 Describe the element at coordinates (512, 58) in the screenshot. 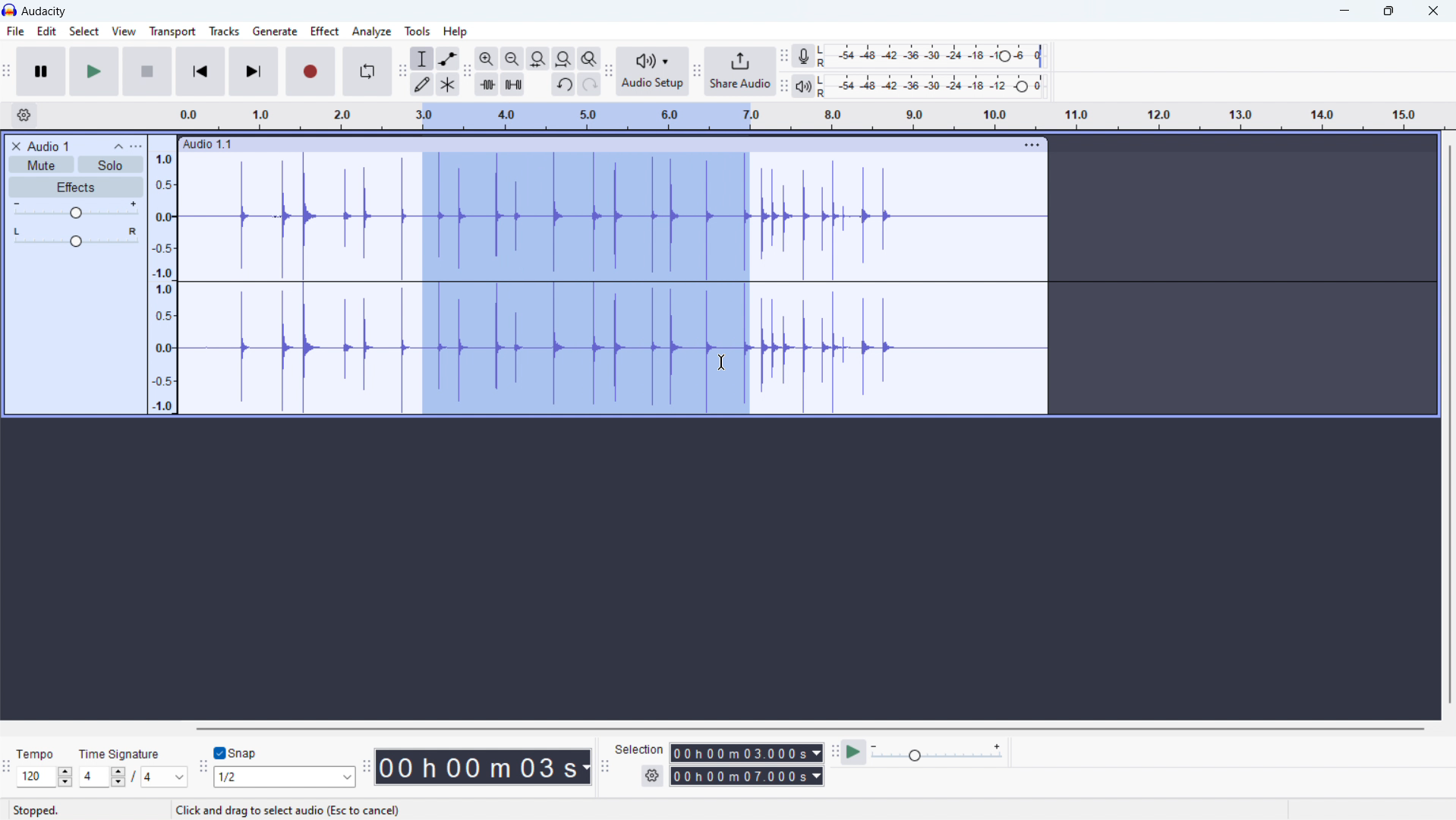

I see `zoom out` at that location.